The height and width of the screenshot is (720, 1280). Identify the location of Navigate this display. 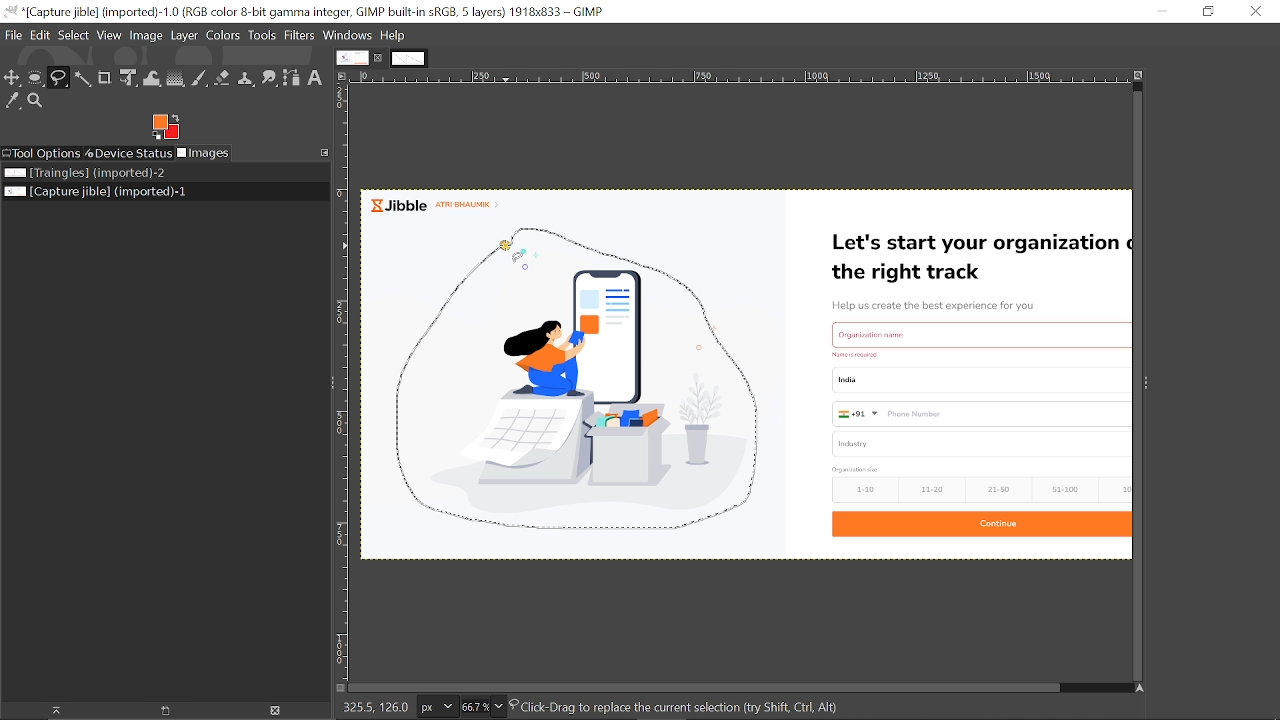
(1141, 688).